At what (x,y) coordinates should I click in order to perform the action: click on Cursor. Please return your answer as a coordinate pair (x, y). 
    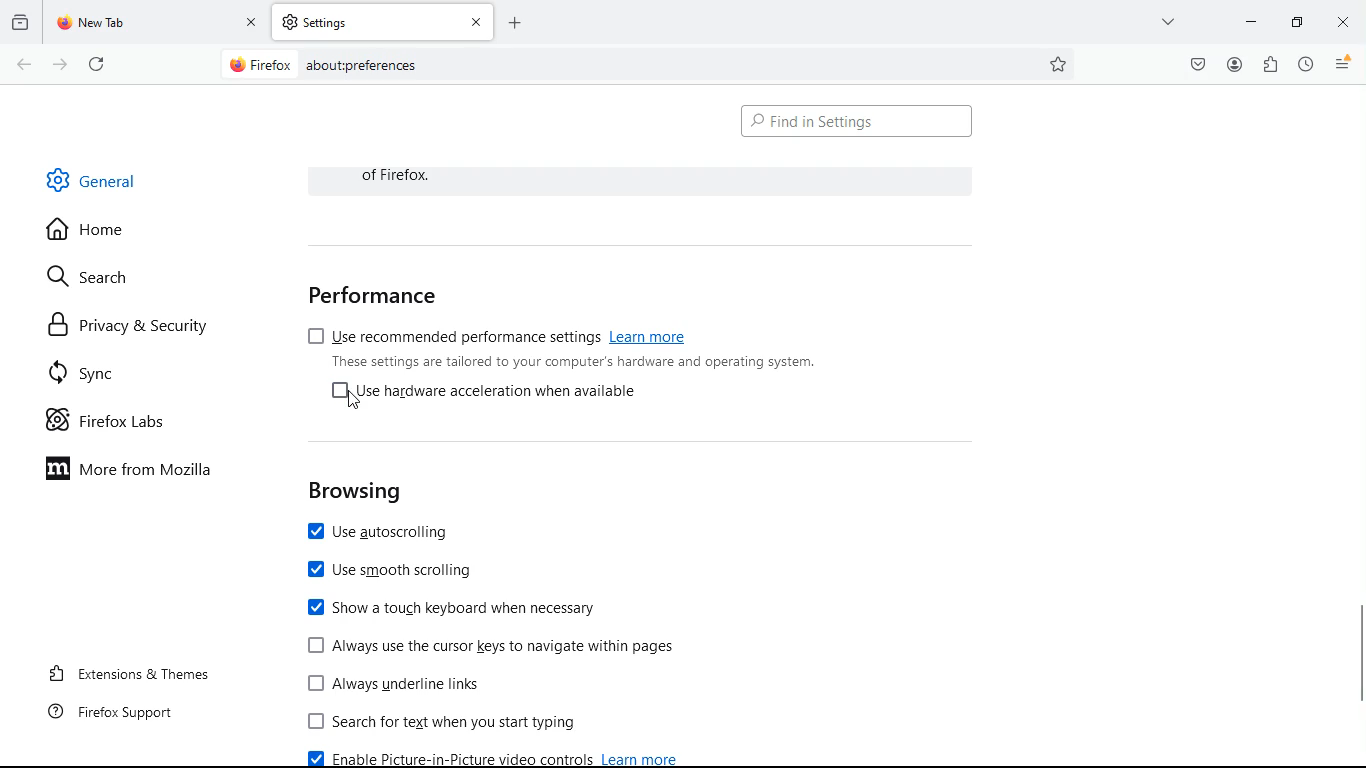
    Looking at the image, I should click on (354, 399).